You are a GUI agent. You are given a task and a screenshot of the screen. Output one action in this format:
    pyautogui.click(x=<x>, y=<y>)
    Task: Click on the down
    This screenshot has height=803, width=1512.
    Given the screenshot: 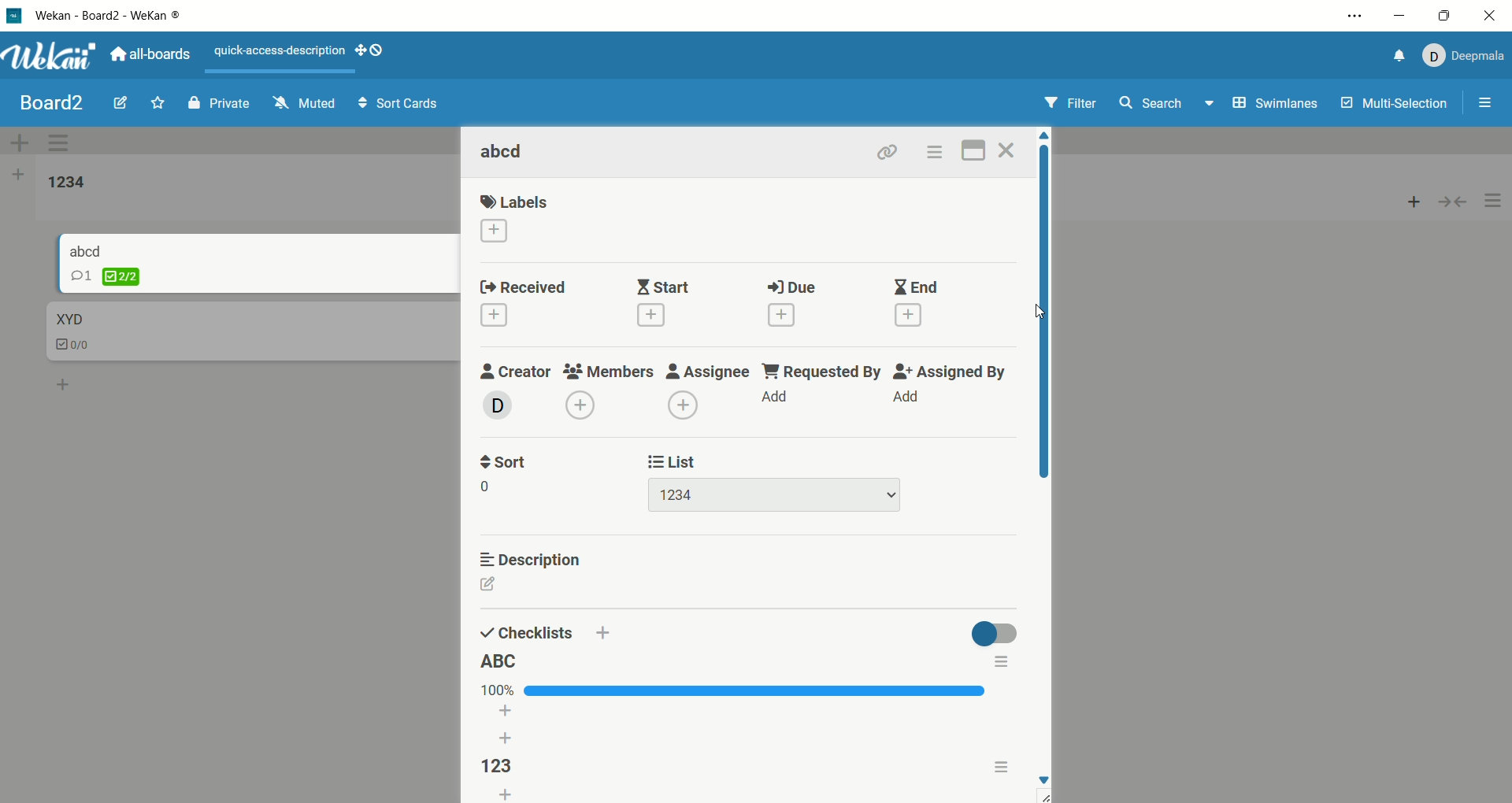 What is the action you would take?
    pyautogui.click(x=1047, y=779)
    